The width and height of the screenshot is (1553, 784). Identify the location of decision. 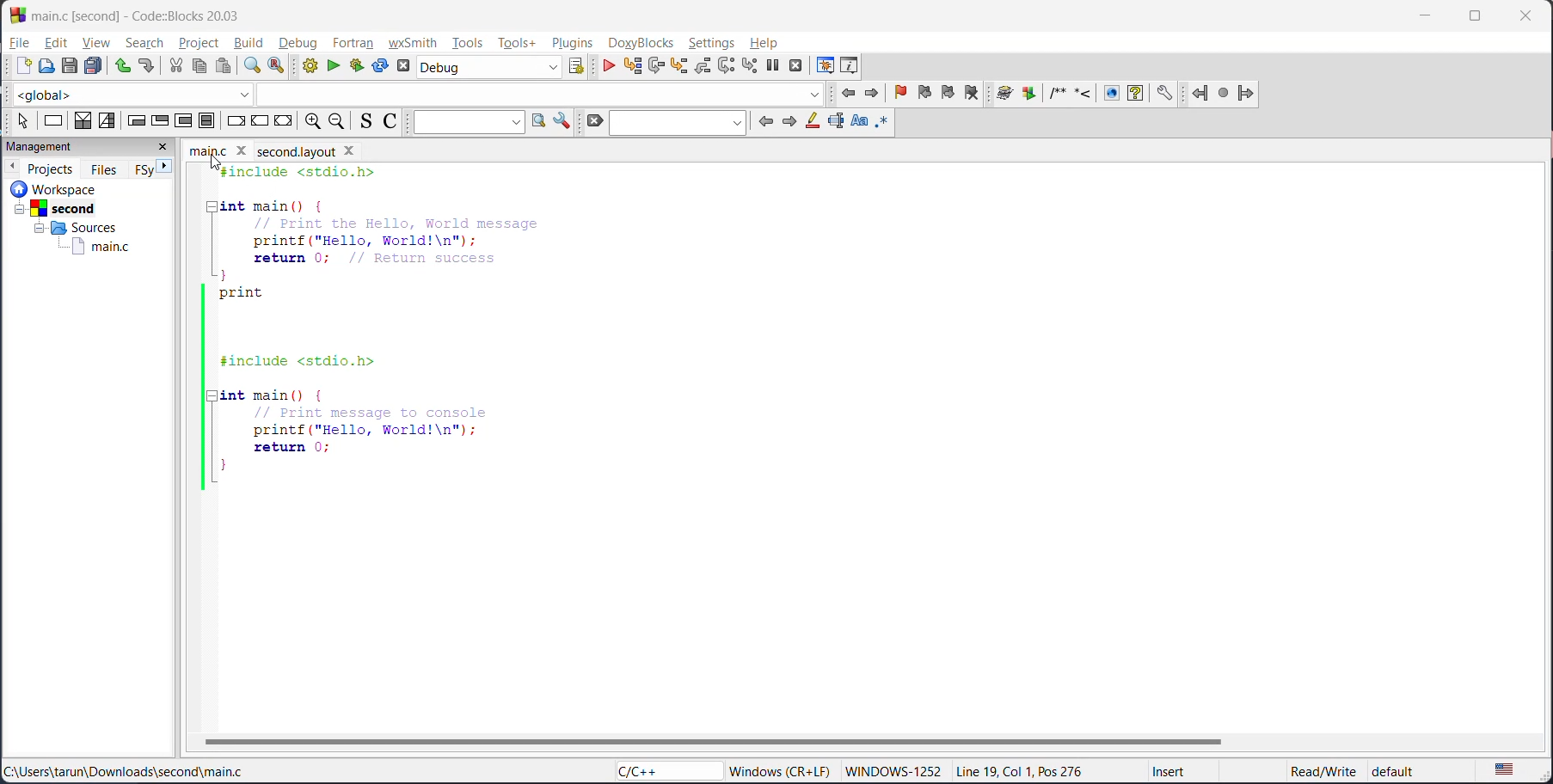
(82, 119).